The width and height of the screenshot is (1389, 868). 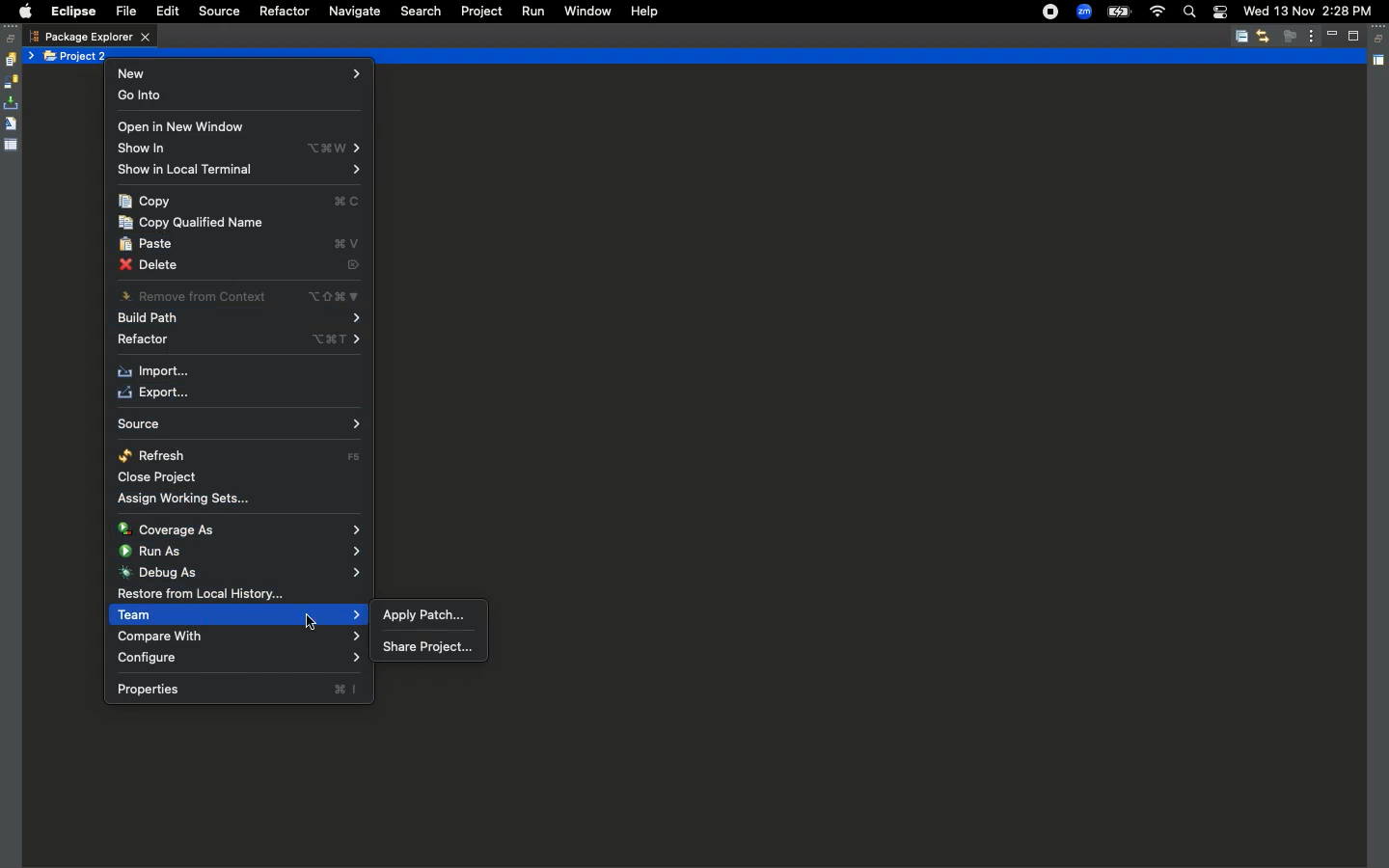 What do you see at coordinates (238, 171) in the screenshot?
I see `Show in local terminal` at bounding box center [238, 171].